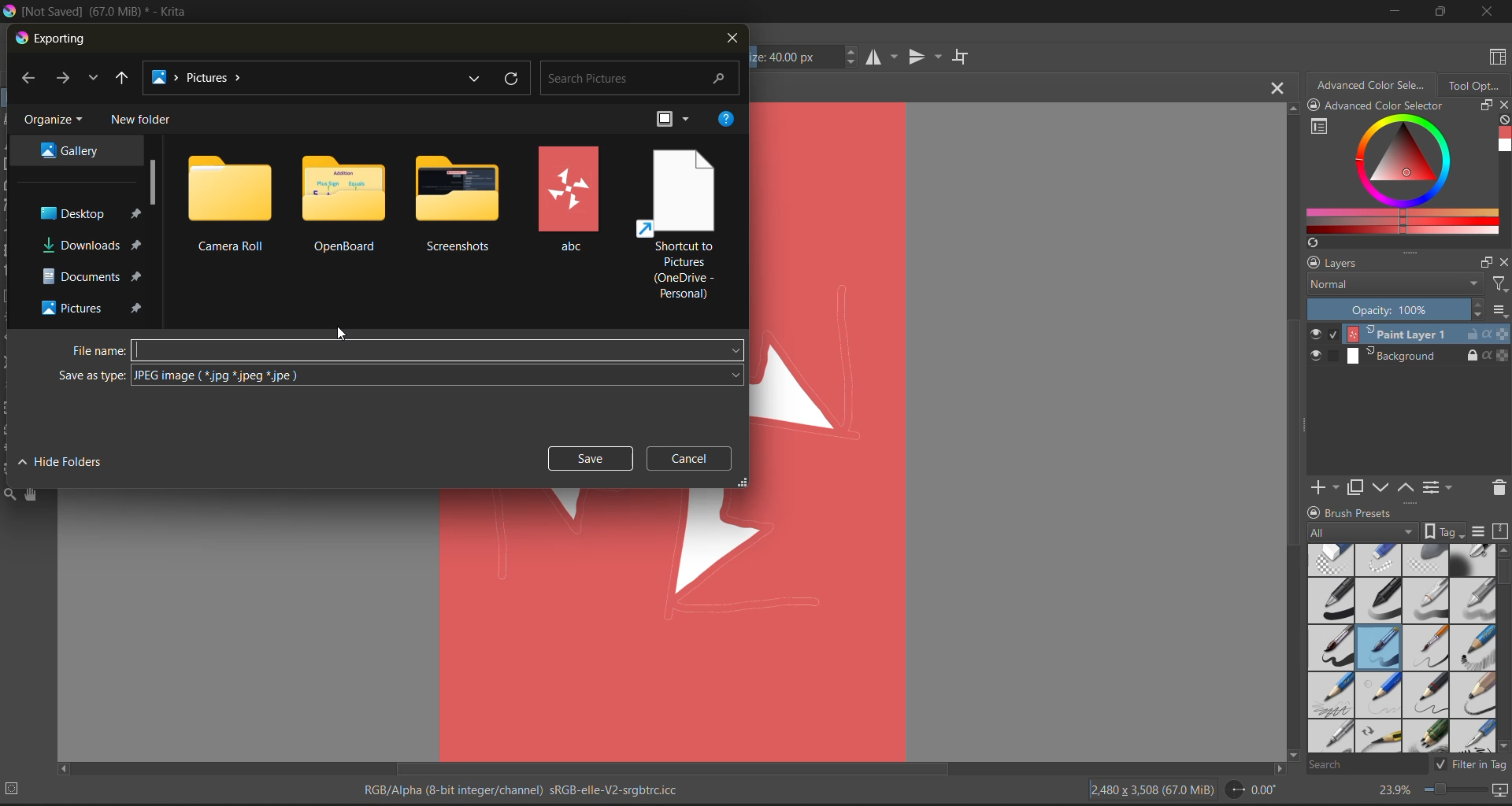 The image size is (1512, 806). I want to click on up to desktop, so click(124, 78).